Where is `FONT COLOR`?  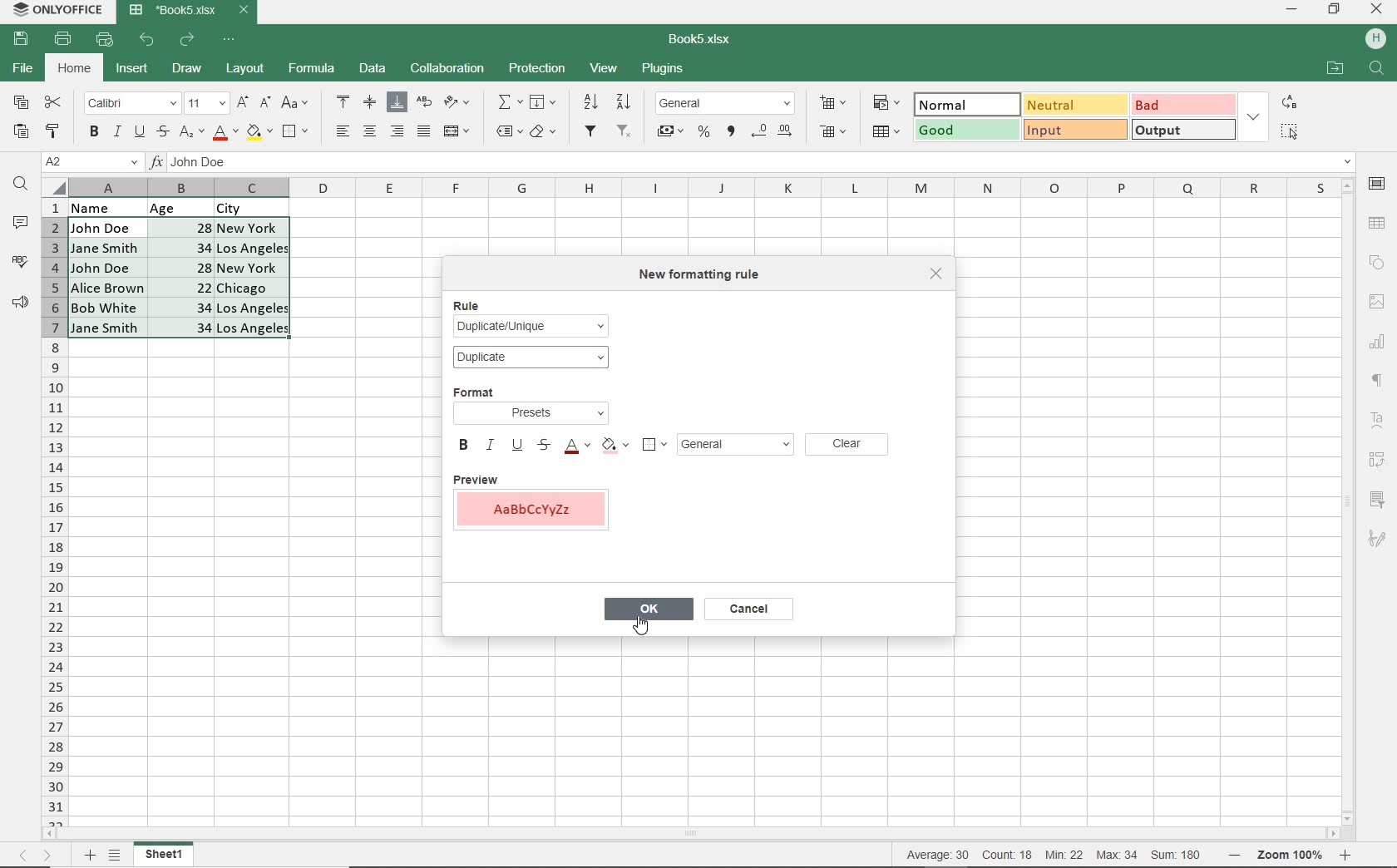 FONT COLOR is located at coordinates (225, 133).